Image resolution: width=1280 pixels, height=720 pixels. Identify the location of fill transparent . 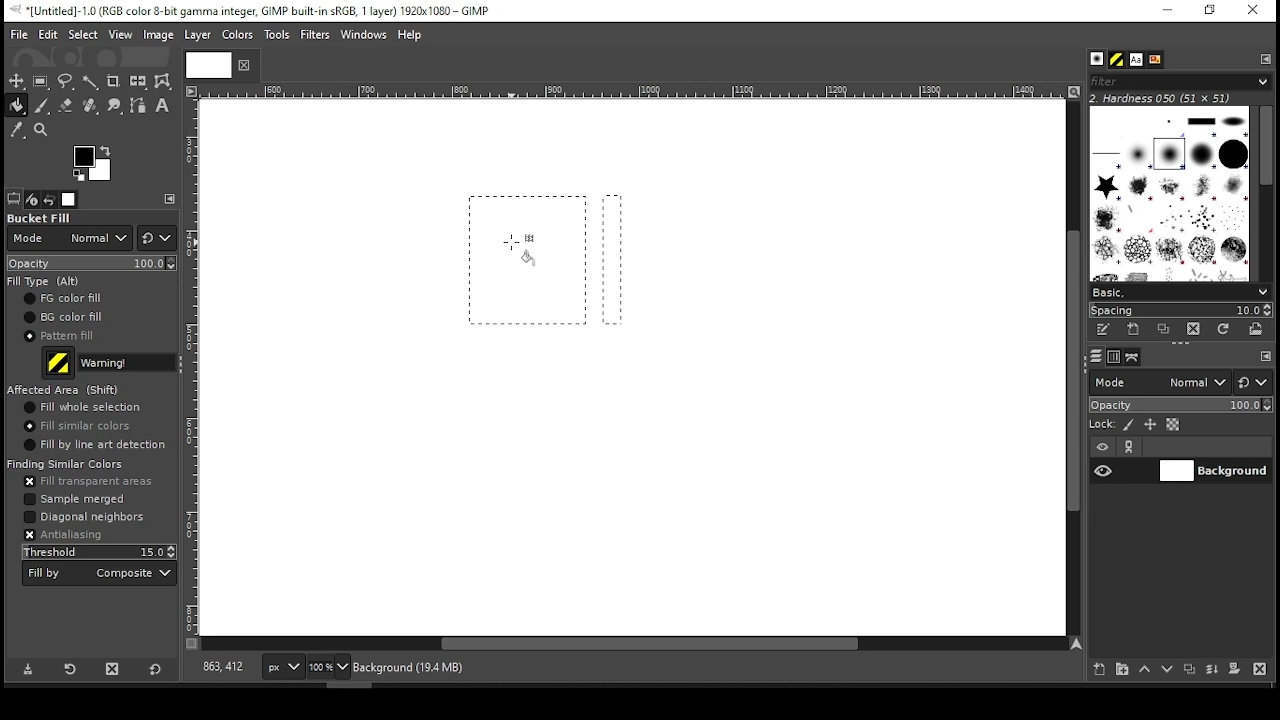
(87, 482).